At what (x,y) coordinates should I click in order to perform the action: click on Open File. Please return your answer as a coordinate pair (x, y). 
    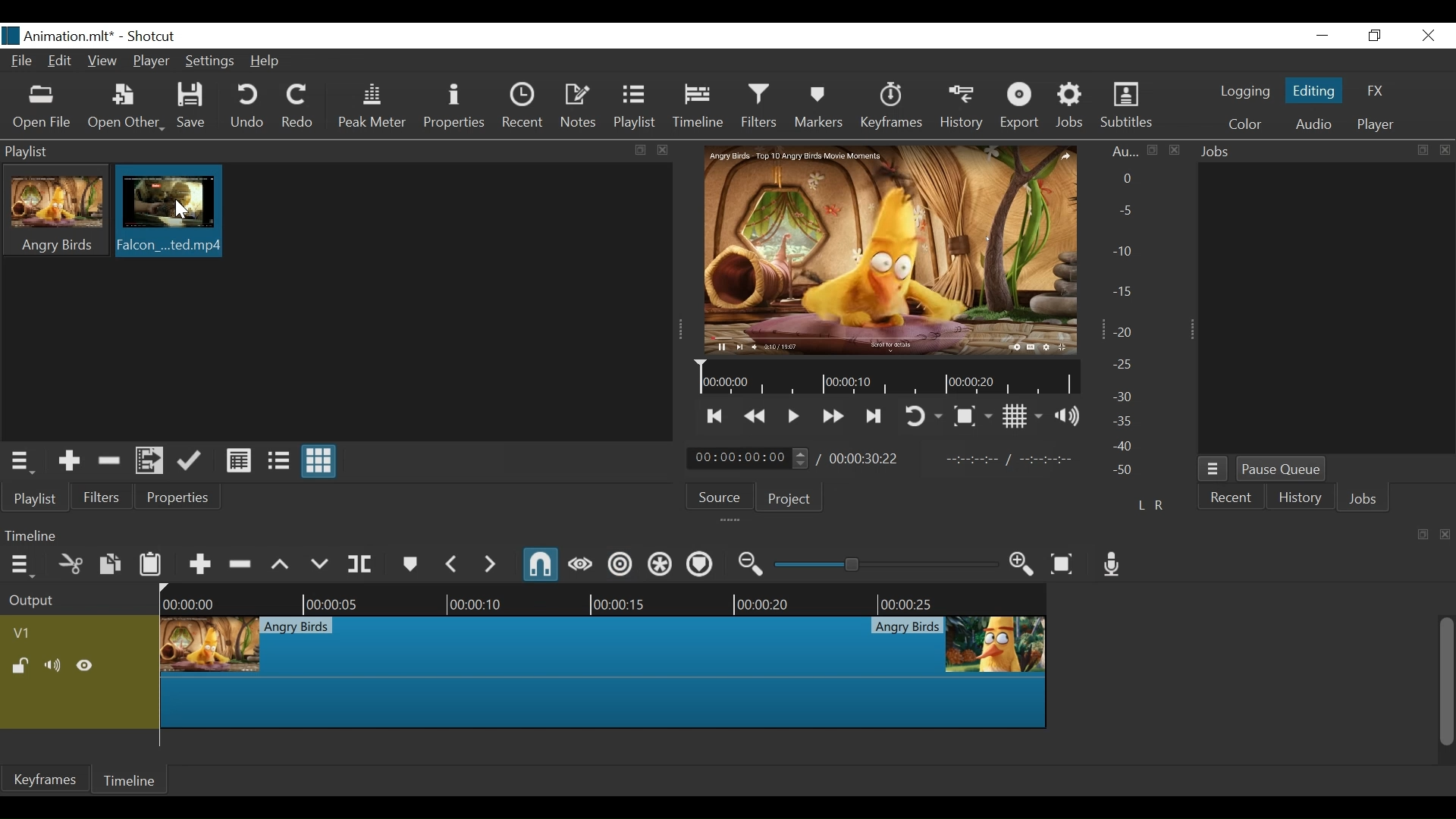
    Looking at the image, I should click on (40, 108).